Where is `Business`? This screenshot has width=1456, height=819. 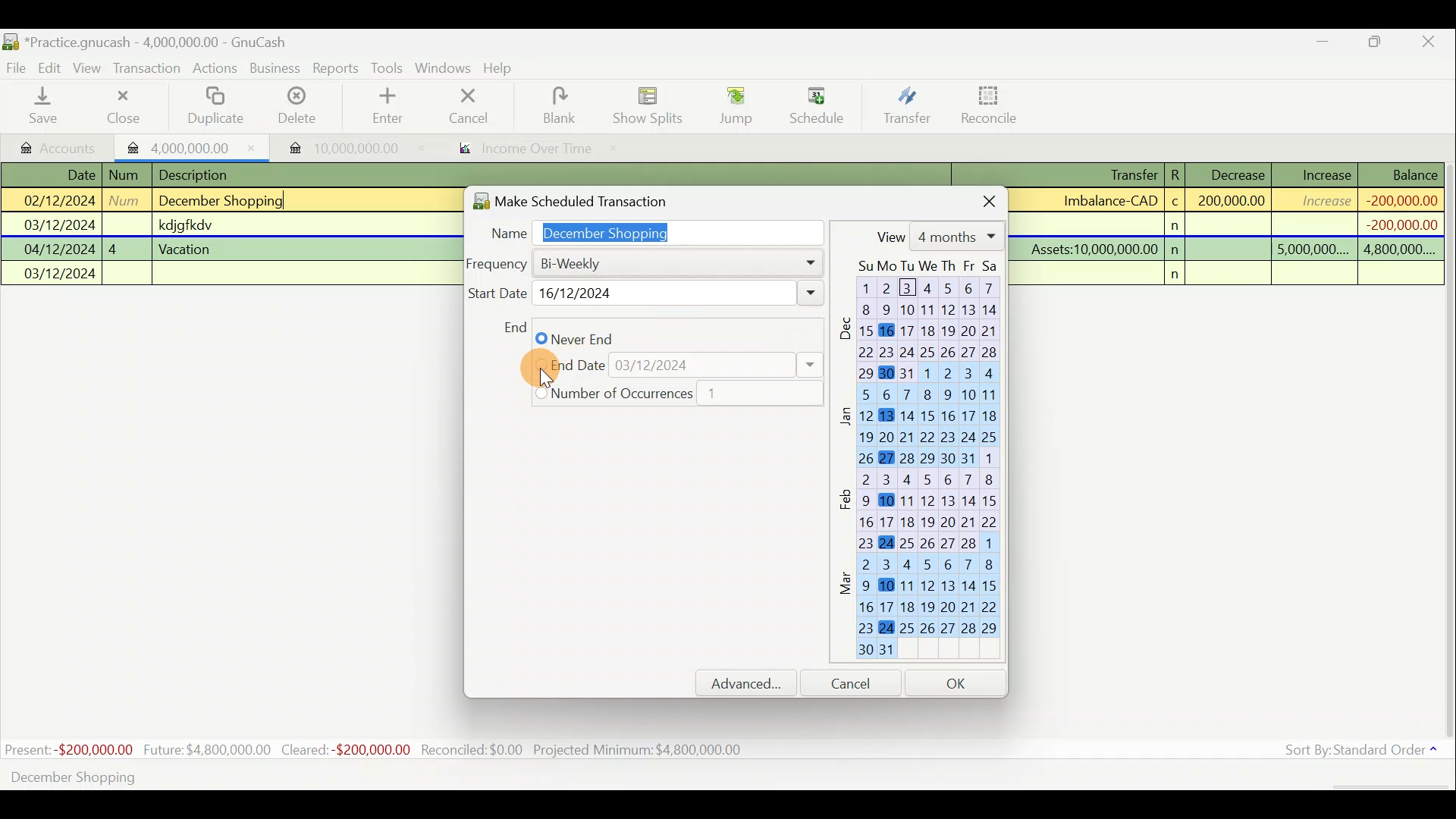
Business is located at coordinates (276, 69).